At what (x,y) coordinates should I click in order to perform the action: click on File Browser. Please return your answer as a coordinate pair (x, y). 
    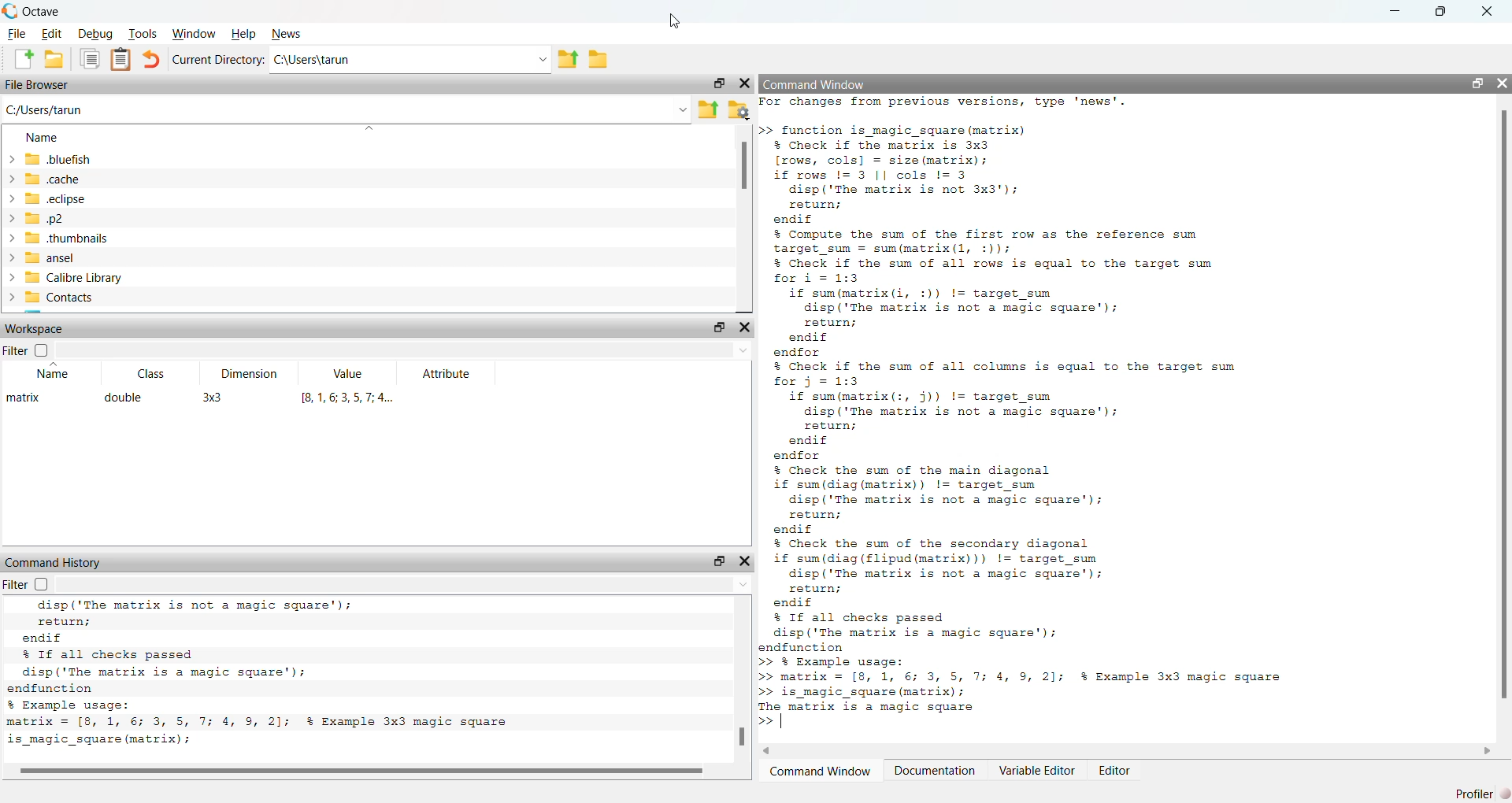
    Looking at the image, I should click on (37, 84).